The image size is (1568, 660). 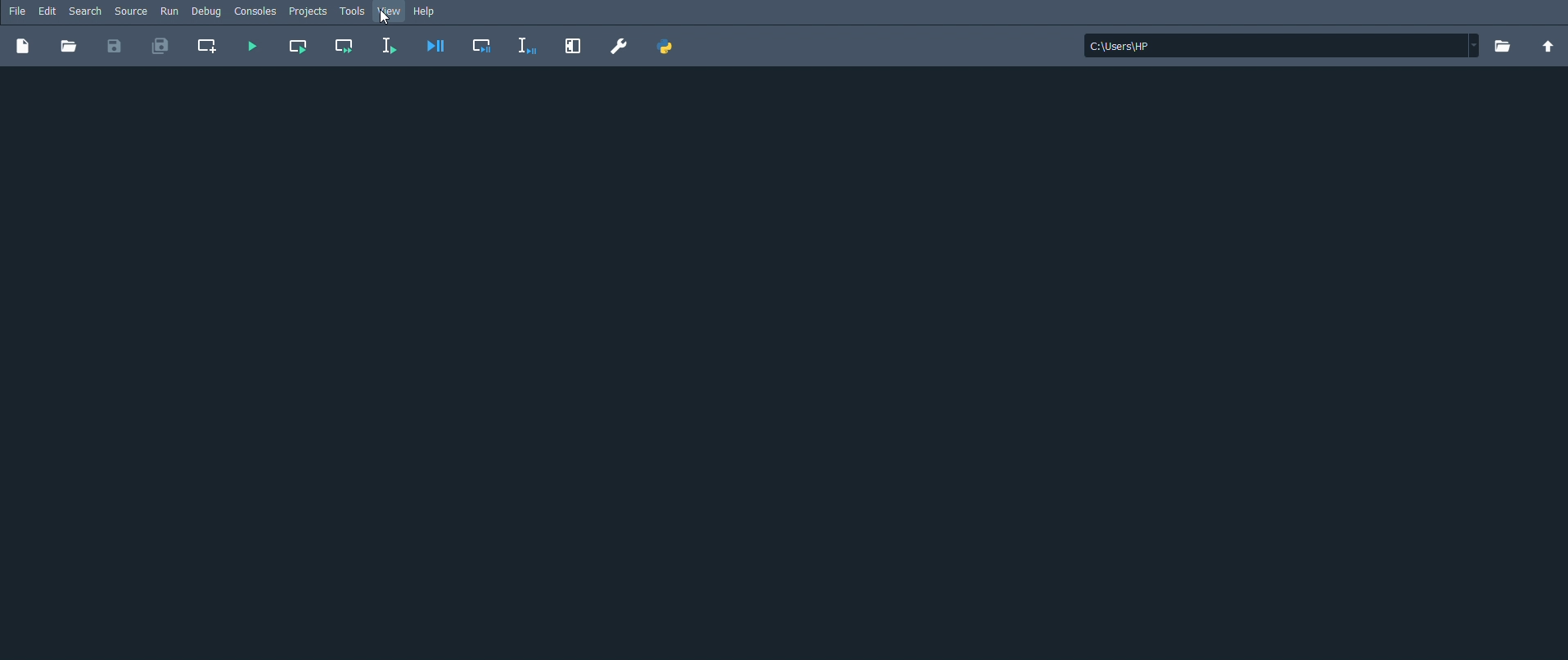 What do you see at coordinates (668, 47) in the screenshot?
I see `PYTHONPATH manager` at bounding box center [668, 47].